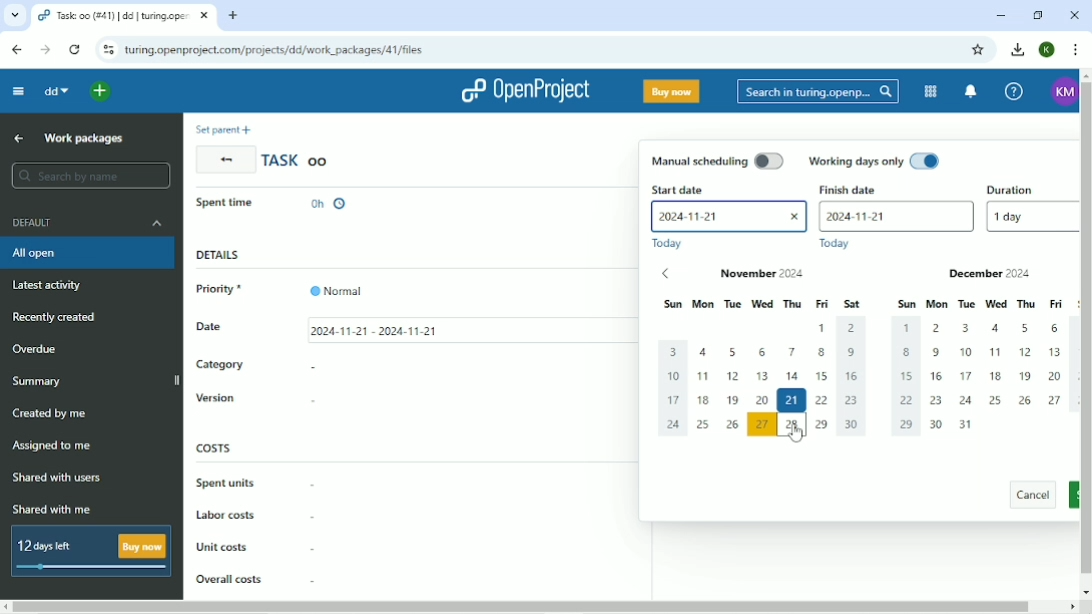 Image resolution: width=1092 pixels, height=614 pixels. I want to click on scroll down, so click(1085, 590).